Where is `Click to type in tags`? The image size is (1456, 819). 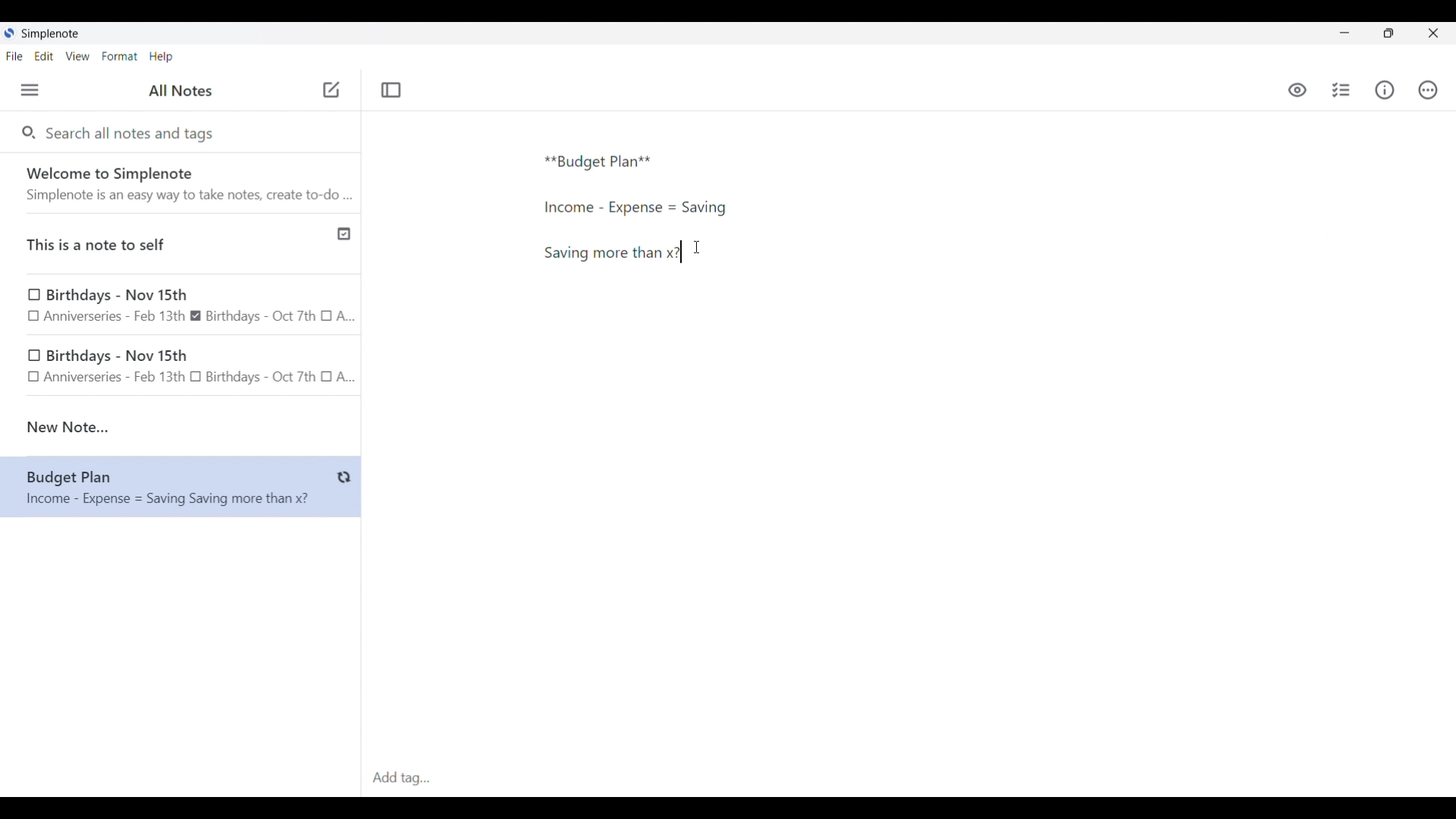
Click to type in tags is located at coordinates (908, 779).